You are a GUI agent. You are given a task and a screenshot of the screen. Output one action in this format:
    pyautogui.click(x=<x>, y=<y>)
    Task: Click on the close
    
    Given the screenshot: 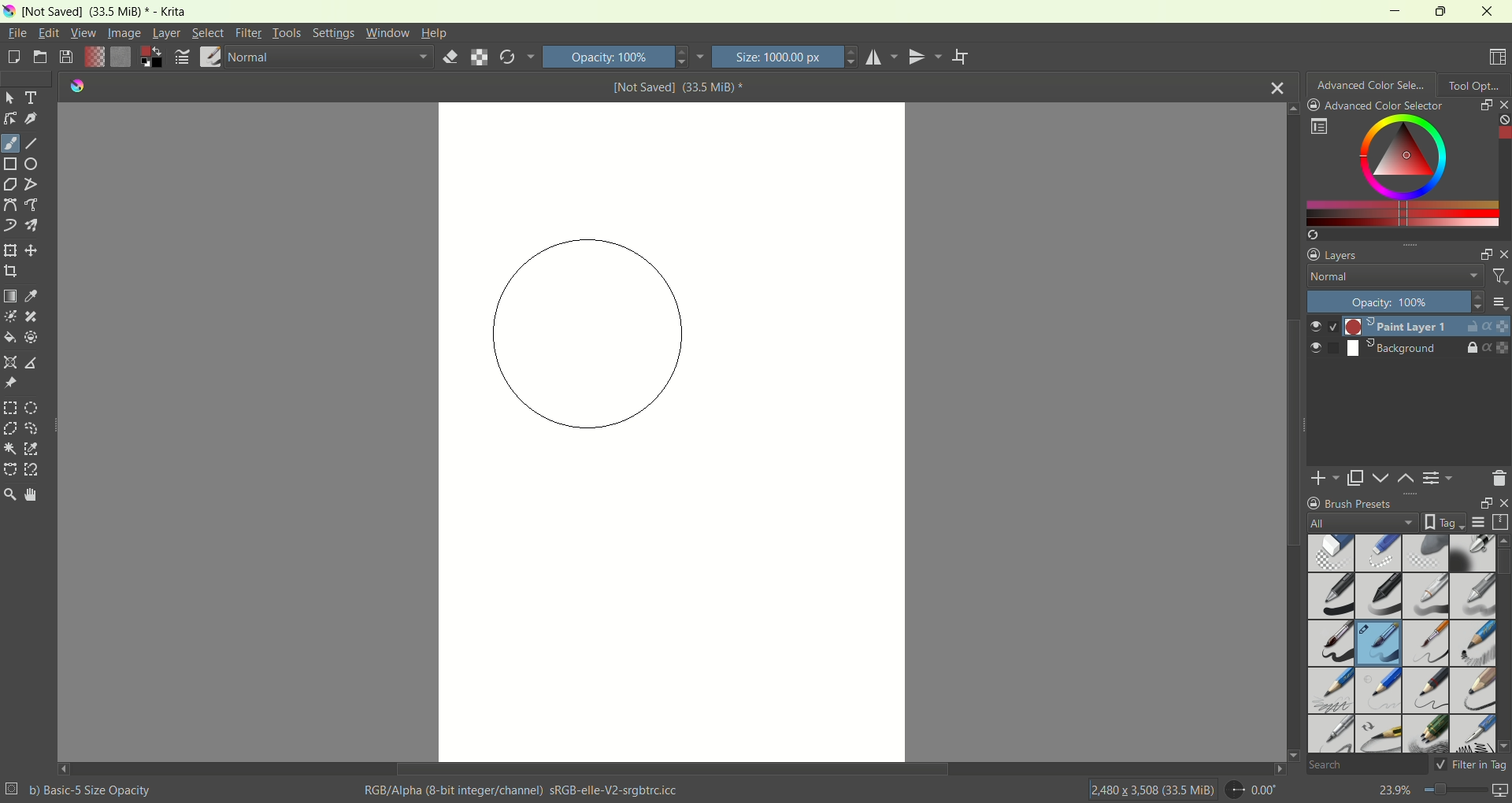 What is the action you would take?
    pyautogui.click(x=1488, y=11)
    